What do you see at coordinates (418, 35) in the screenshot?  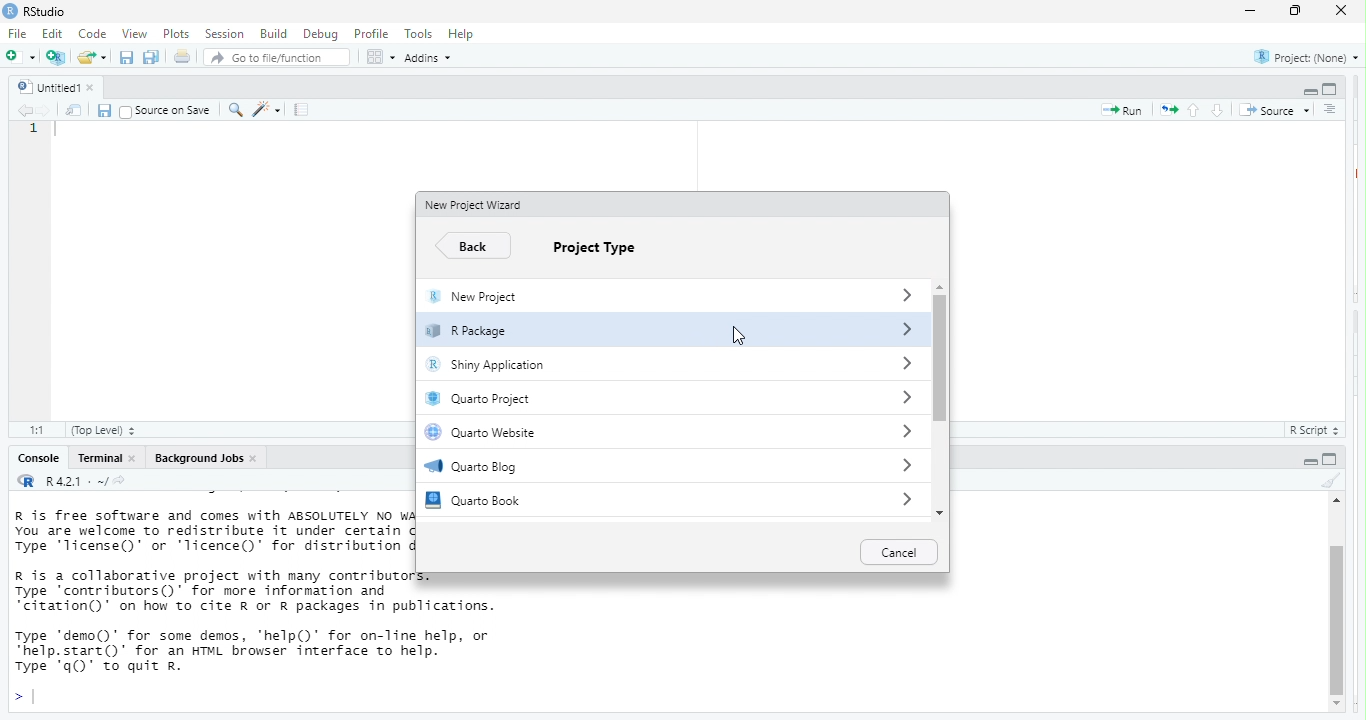 I see `Tools` at bounding box center [418, 35].